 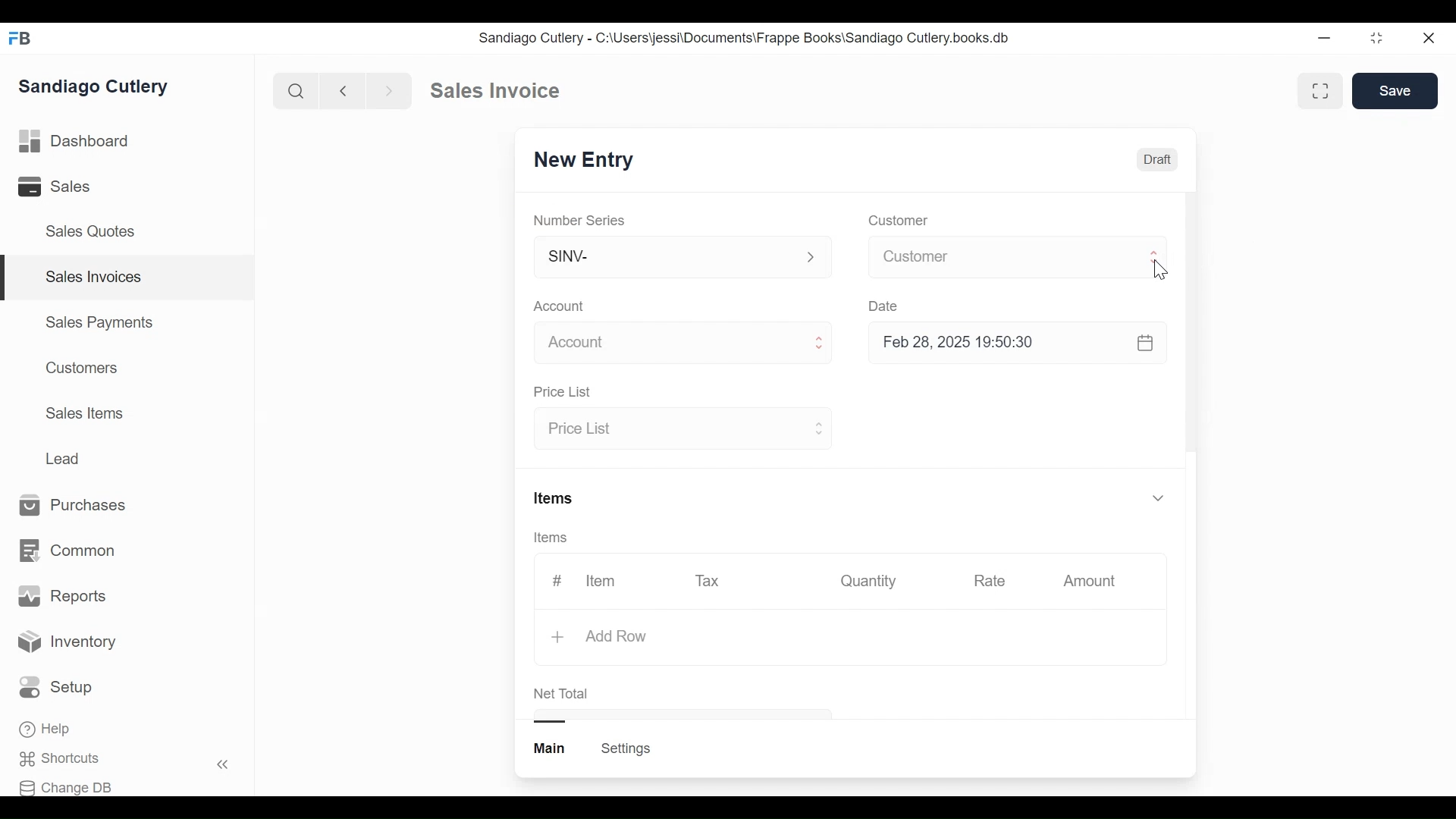 What do you see at coordinates (602, 581) in the screenshot?
I see `Item` at bounding box center [602, 581].